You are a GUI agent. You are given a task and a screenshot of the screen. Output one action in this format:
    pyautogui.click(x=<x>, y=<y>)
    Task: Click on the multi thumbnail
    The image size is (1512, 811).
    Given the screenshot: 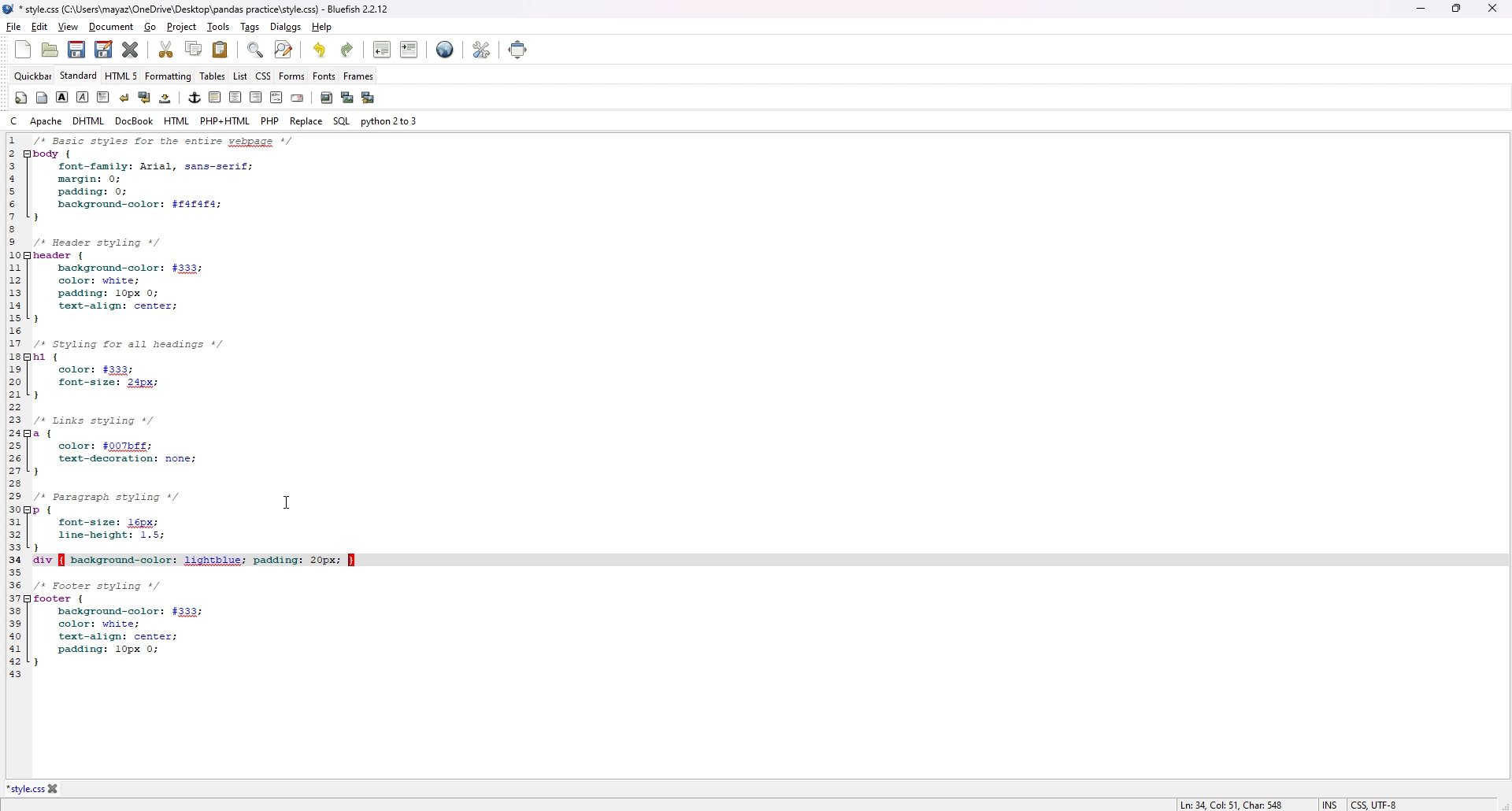 What is the action you would take?
    pyautogui.click(x=369, y=98)
    